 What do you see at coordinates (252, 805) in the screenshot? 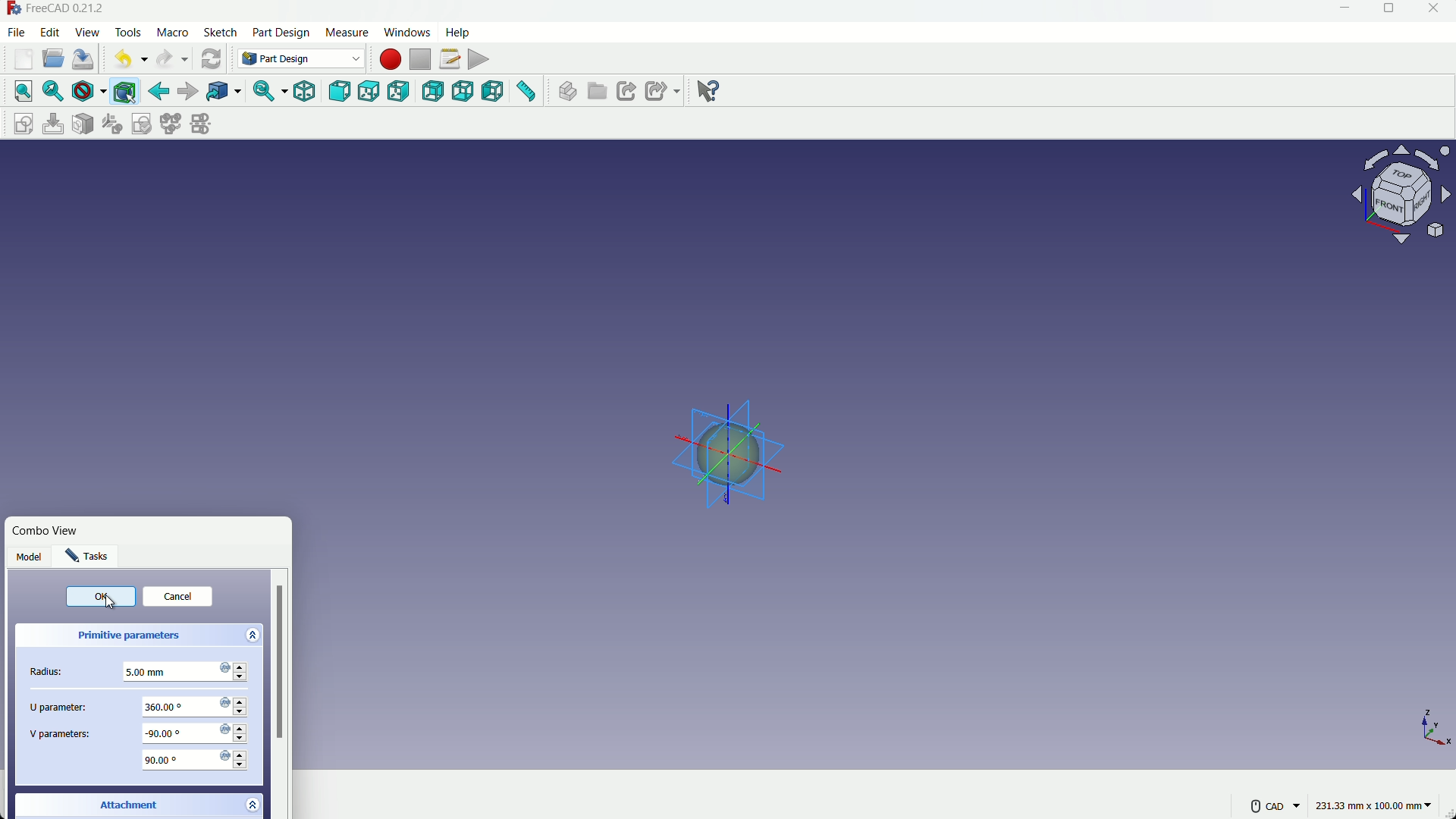
I see `expand/collapse` at bounding box center [252, 805].